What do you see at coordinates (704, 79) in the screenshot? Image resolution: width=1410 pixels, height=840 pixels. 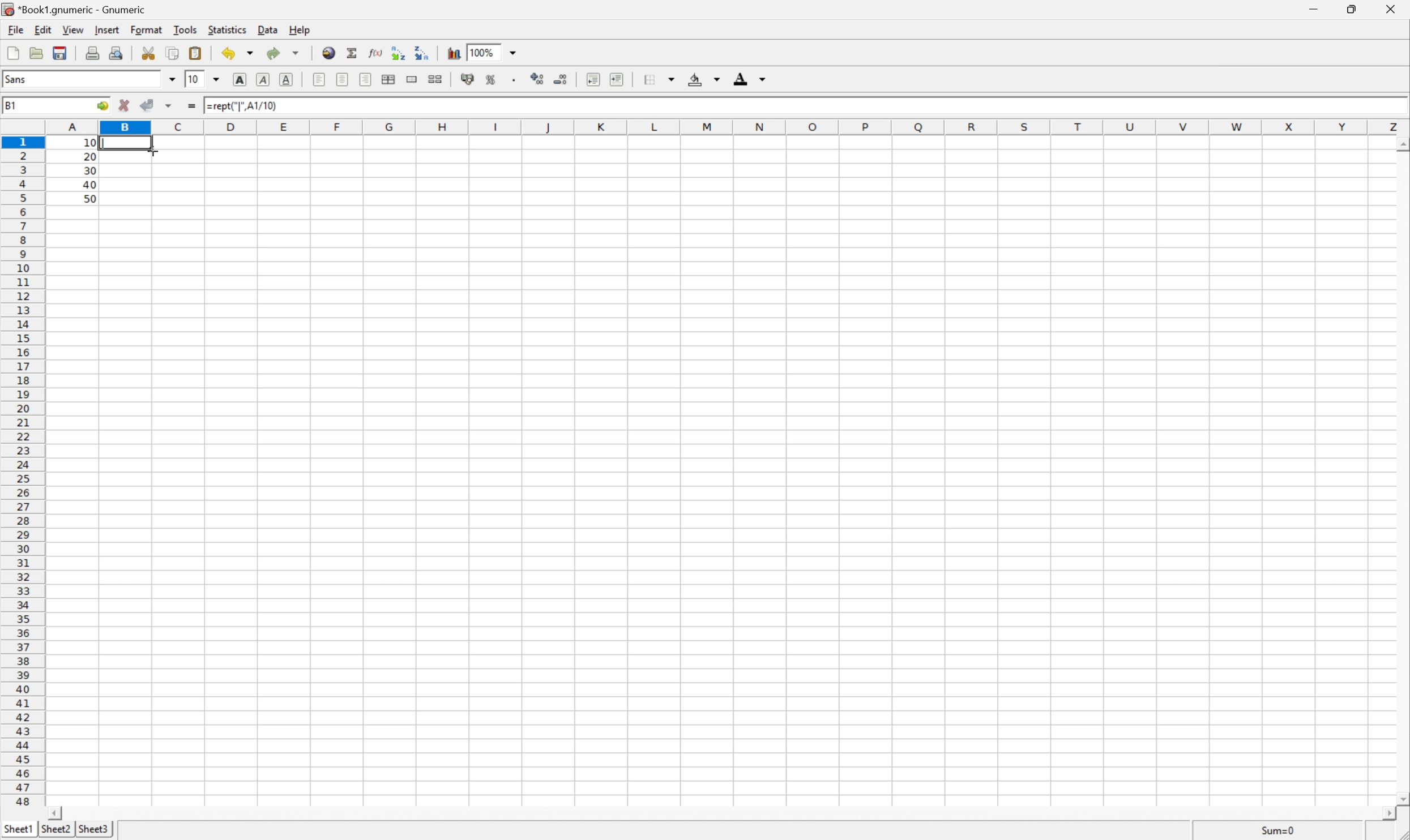 I see `Background` at bounding box center [704, 79].